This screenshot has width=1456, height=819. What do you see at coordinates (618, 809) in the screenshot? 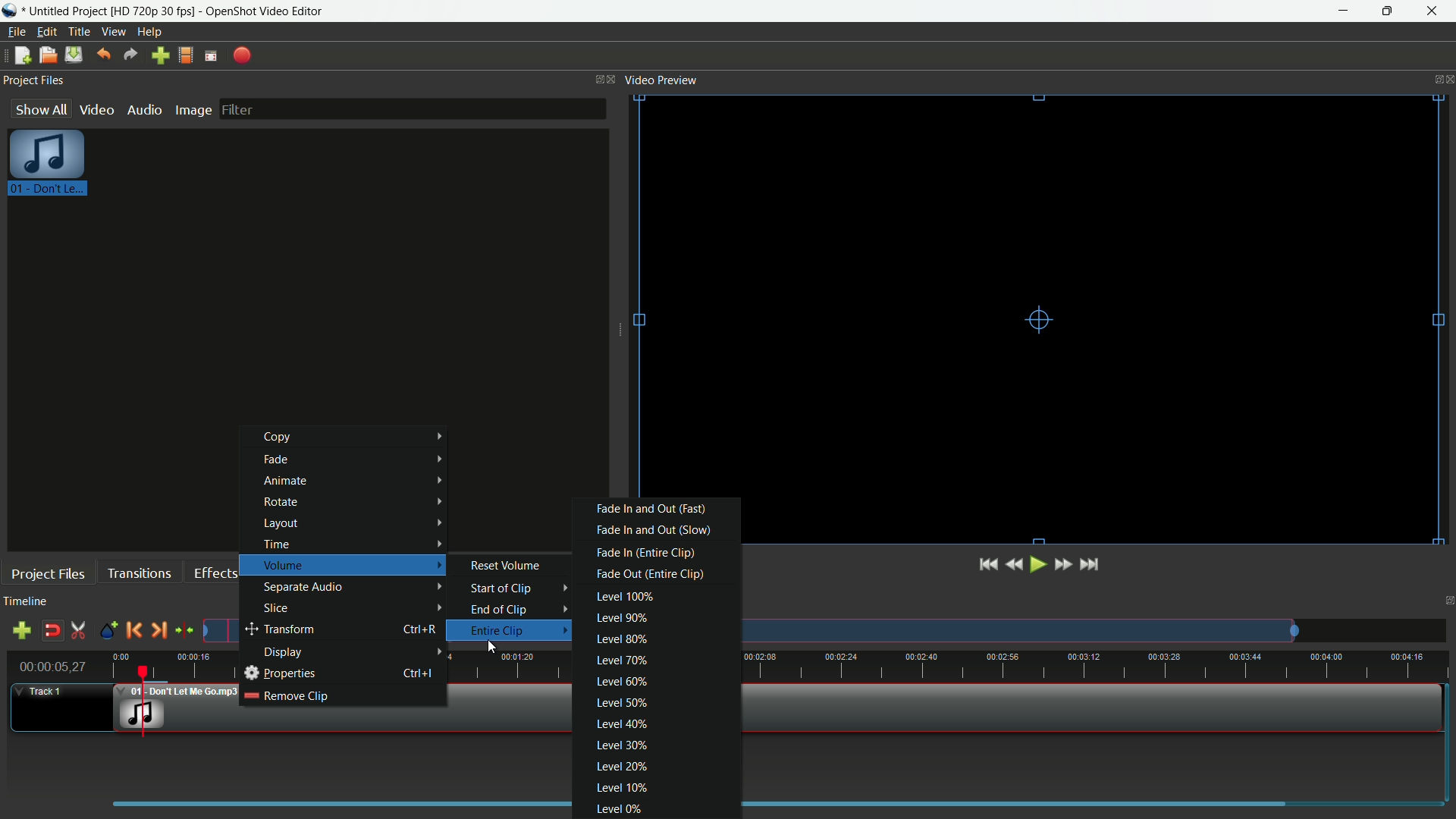
I see `level 0%` at bounding box center [618, 809].